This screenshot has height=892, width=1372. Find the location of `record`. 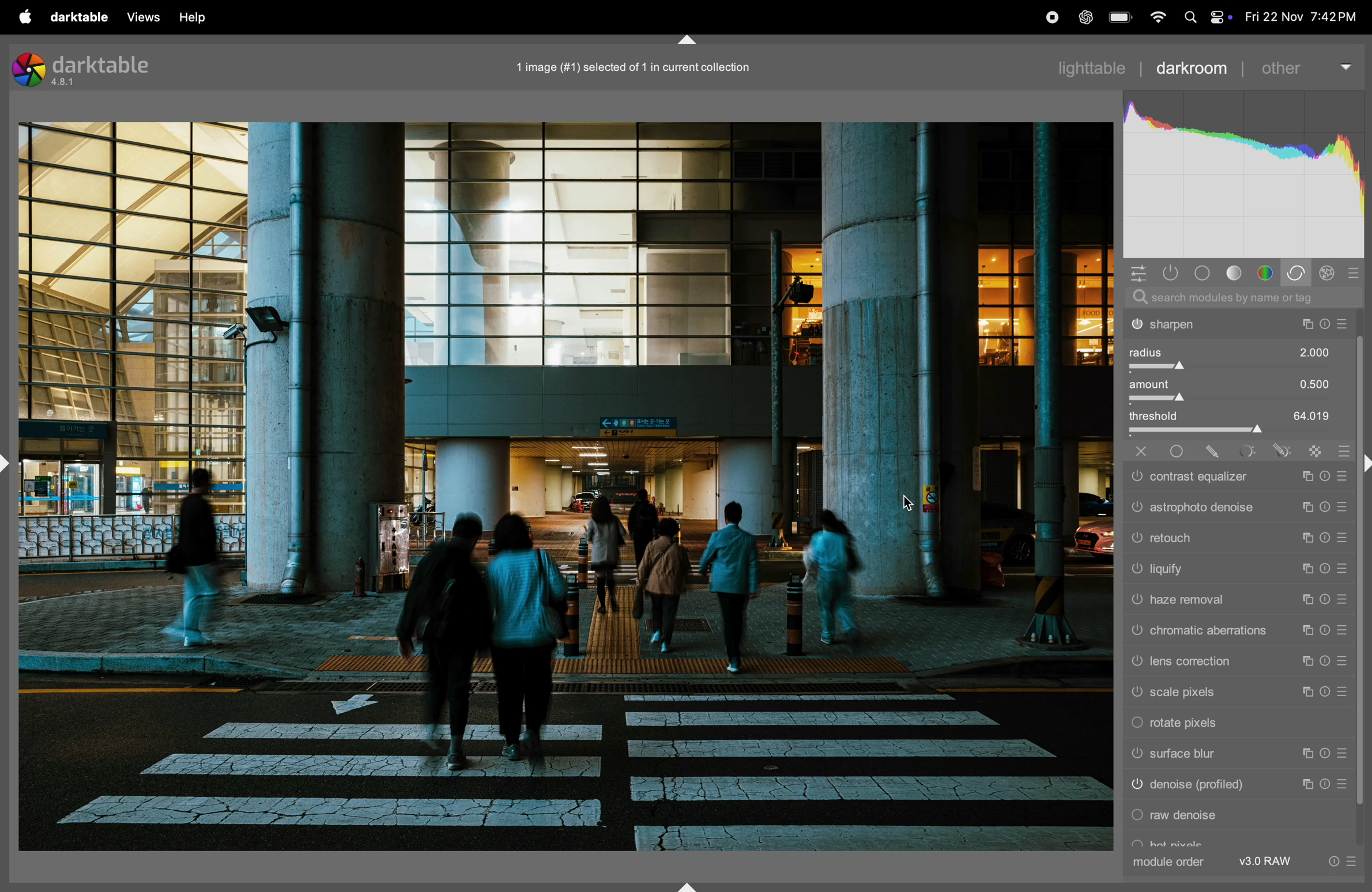

record is located at coordinates (1007, 17).